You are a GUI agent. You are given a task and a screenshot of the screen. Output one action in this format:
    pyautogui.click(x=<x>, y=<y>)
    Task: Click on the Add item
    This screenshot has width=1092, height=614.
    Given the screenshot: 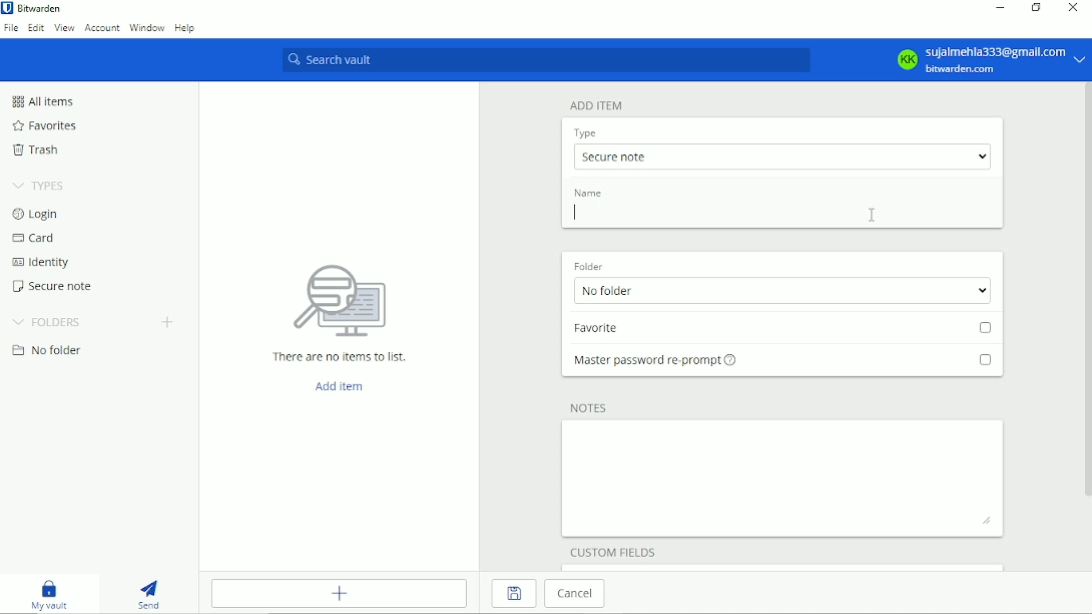 What is the action you would take?
    pyautogui.click(x=337, y=385)
    